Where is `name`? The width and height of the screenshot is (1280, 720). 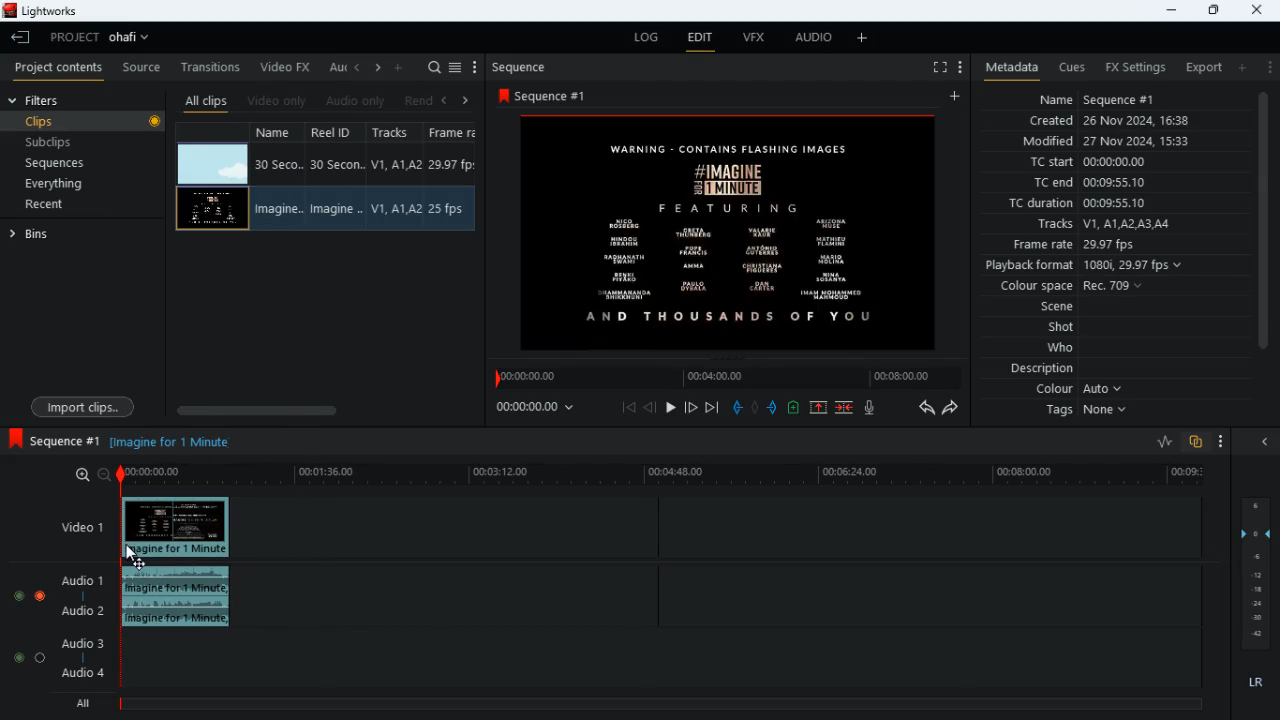
name is located at coordinates (1120, 100).